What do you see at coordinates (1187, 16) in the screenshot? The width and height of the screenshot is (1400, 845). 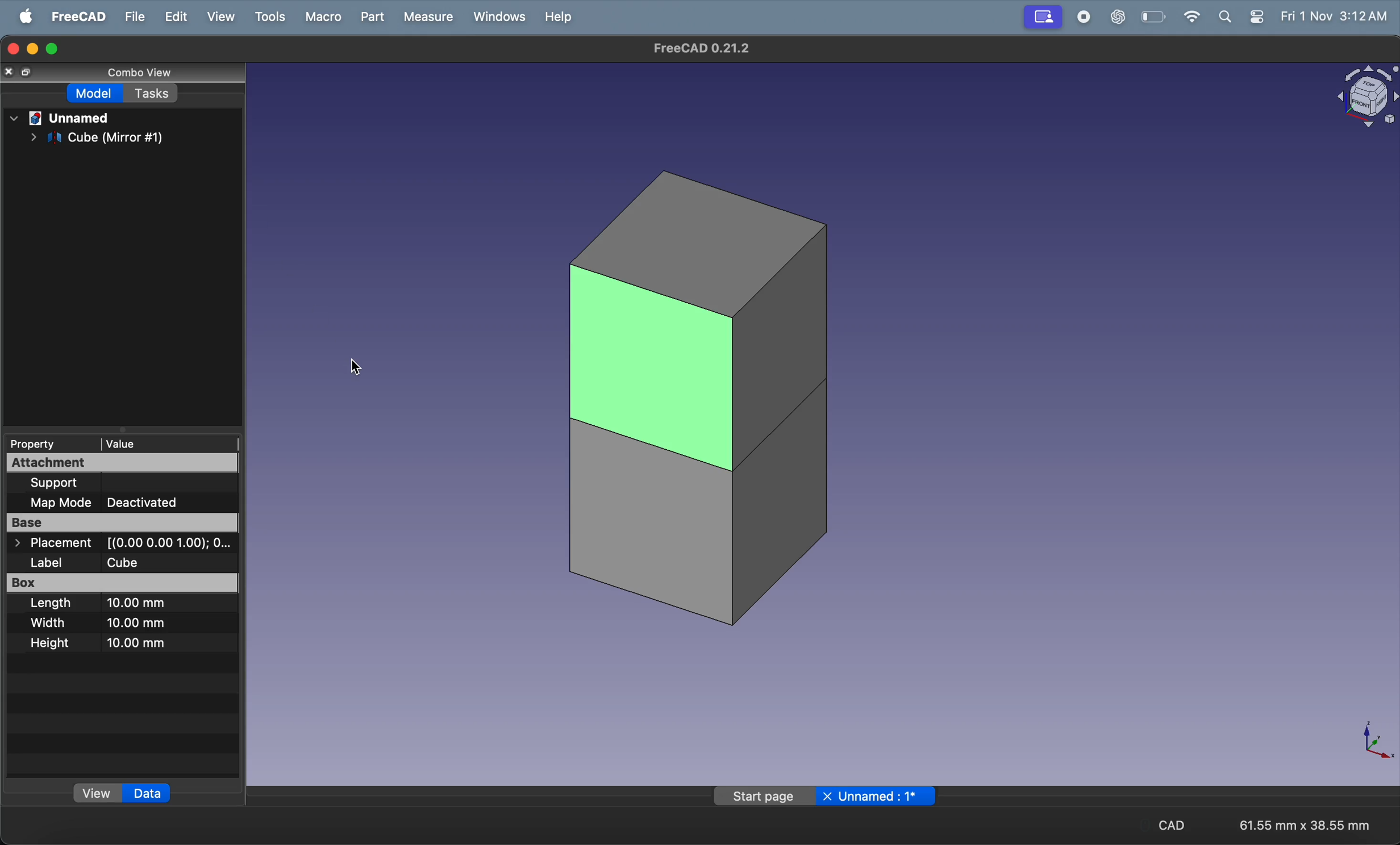 I see `wifi` at bounding box center [1187, 16].